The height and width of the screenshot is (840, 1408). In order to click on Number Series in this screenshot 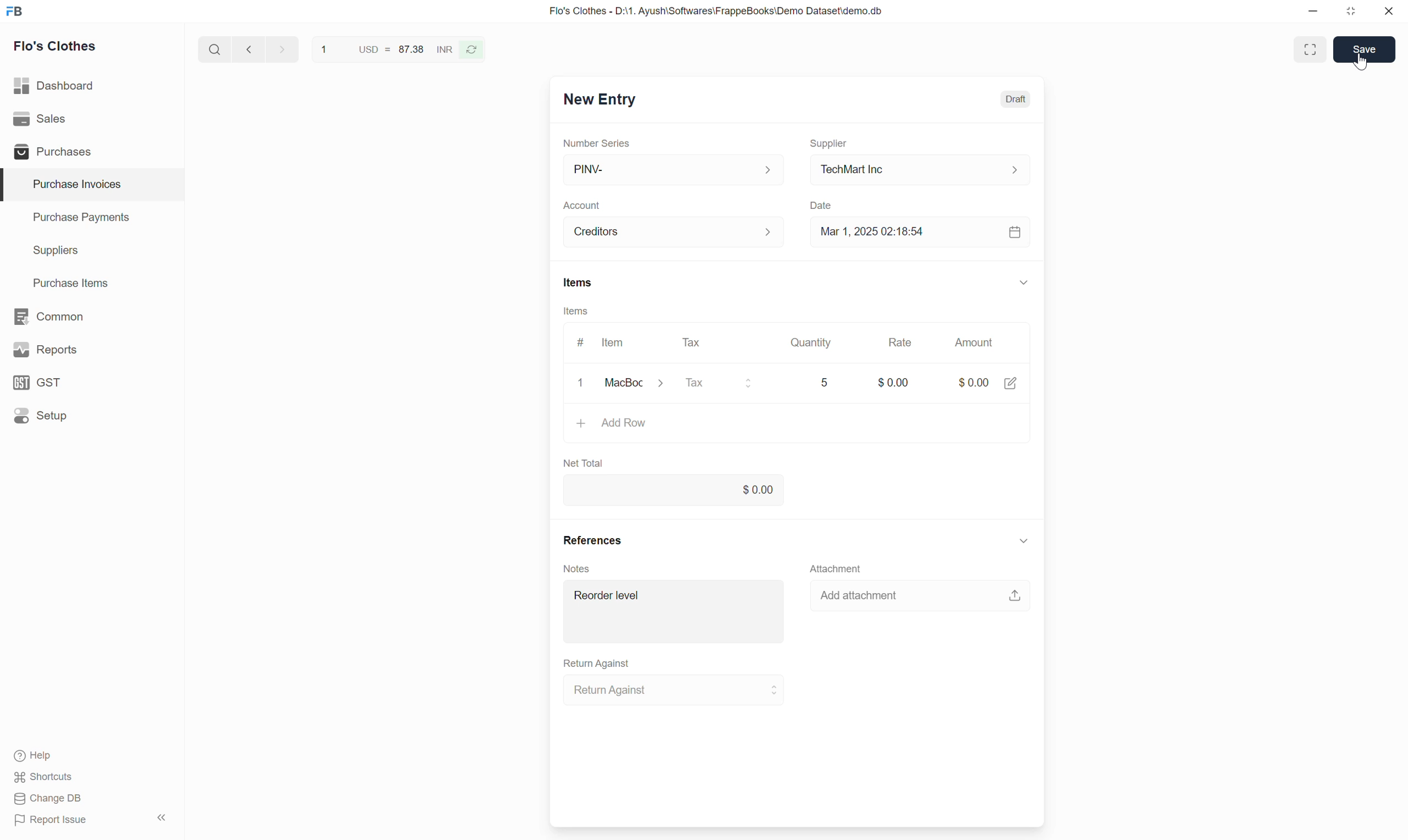, I will do `click(597, 143)`.